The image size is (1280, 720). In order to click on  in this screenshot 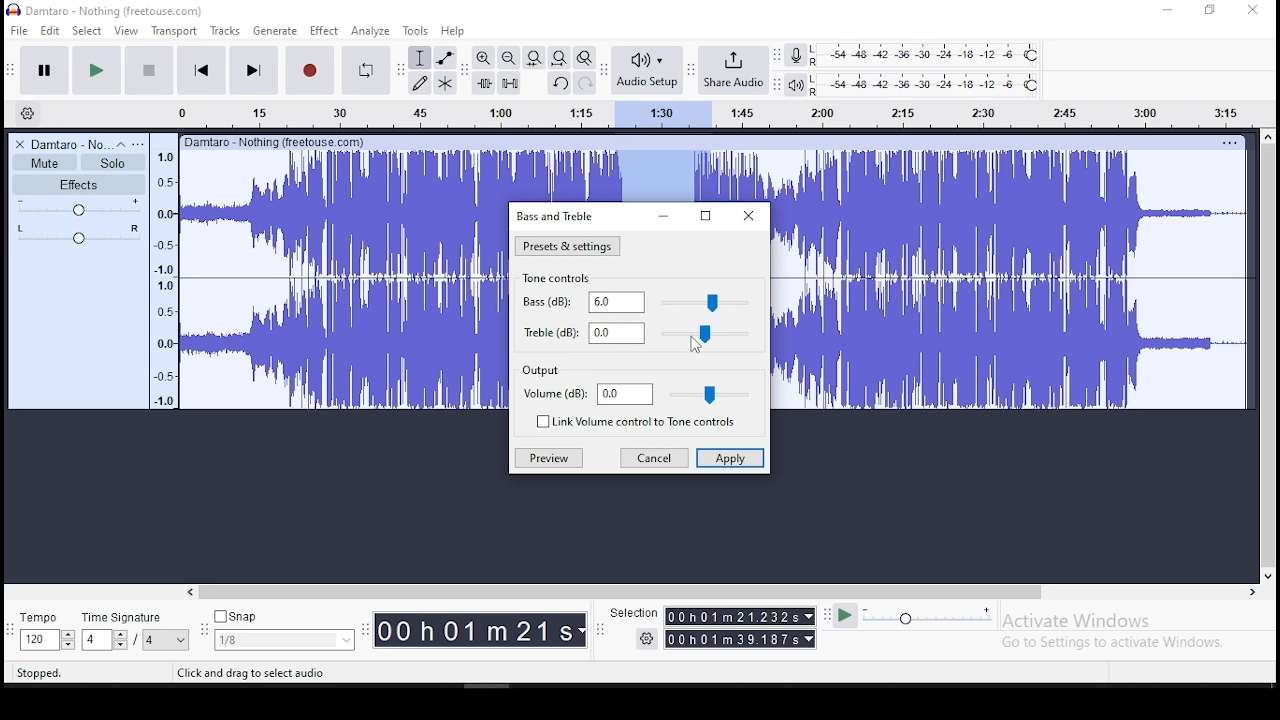, I will do `click(1229, 142)`.